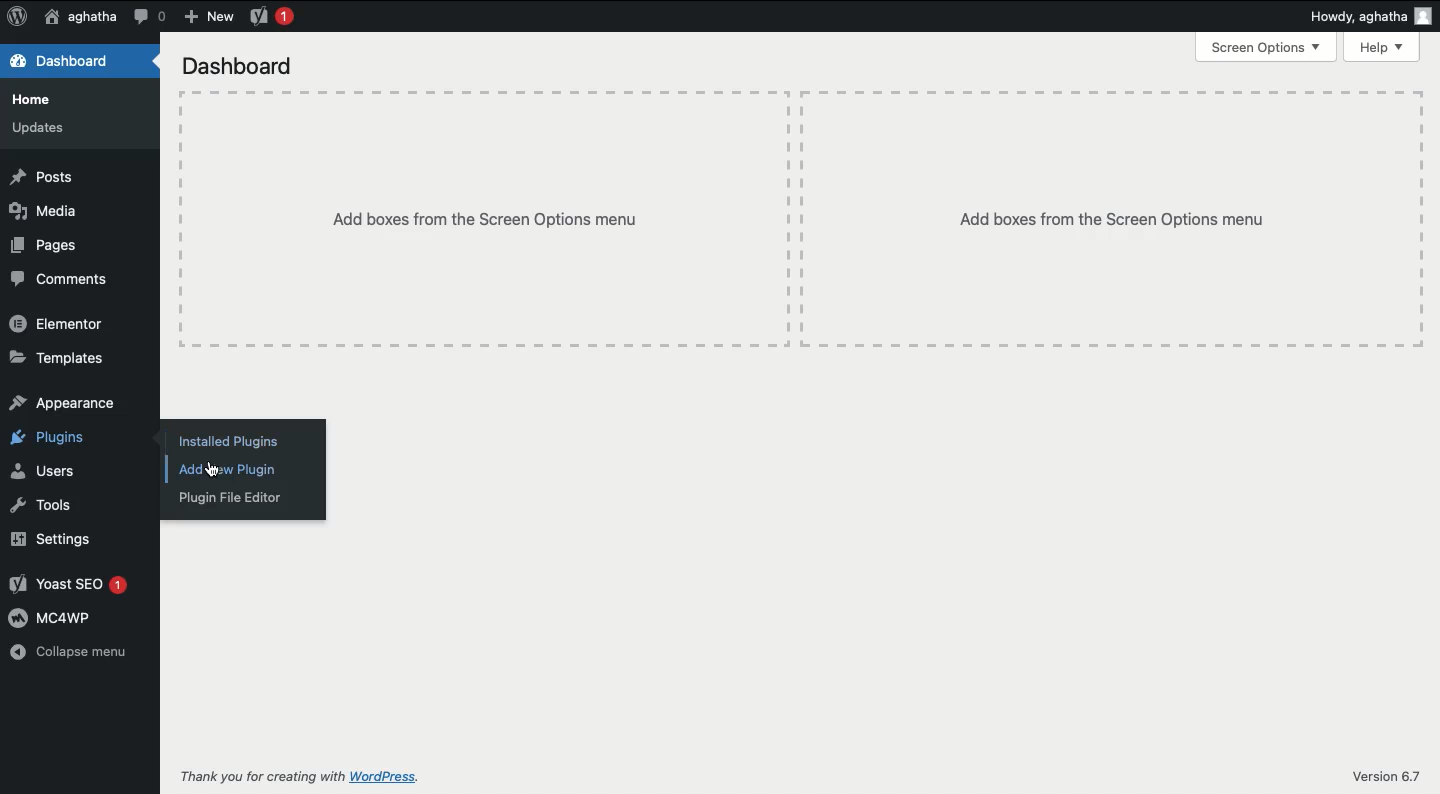 The height and width of the screenshot is (794, 1440). Describe the element at coordinates (273, 18) in the screenshot. I see `Yoast` at that location.